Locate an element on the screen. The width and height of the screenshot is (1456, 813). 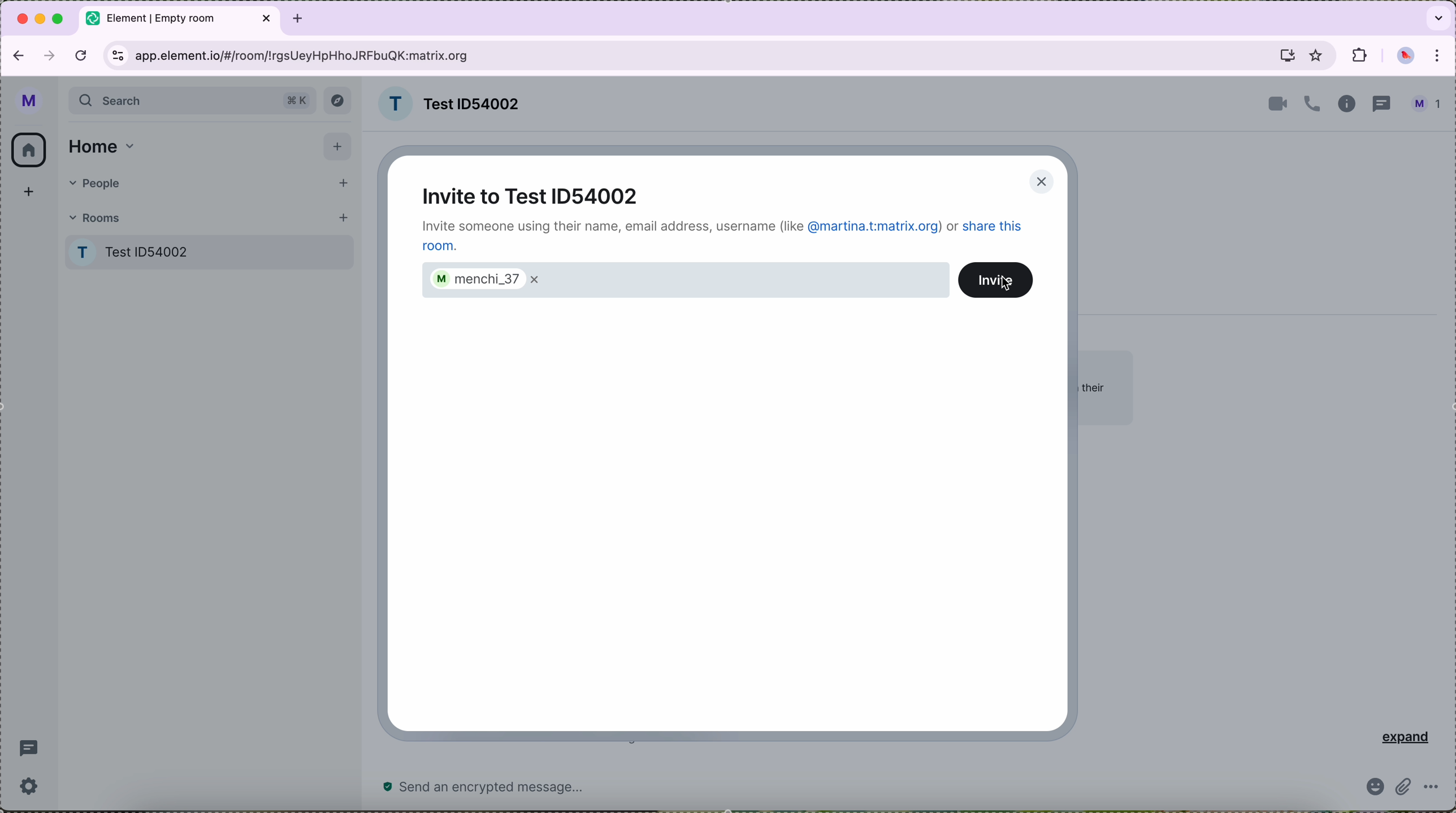
video call is located at coordinates (1275, 103).